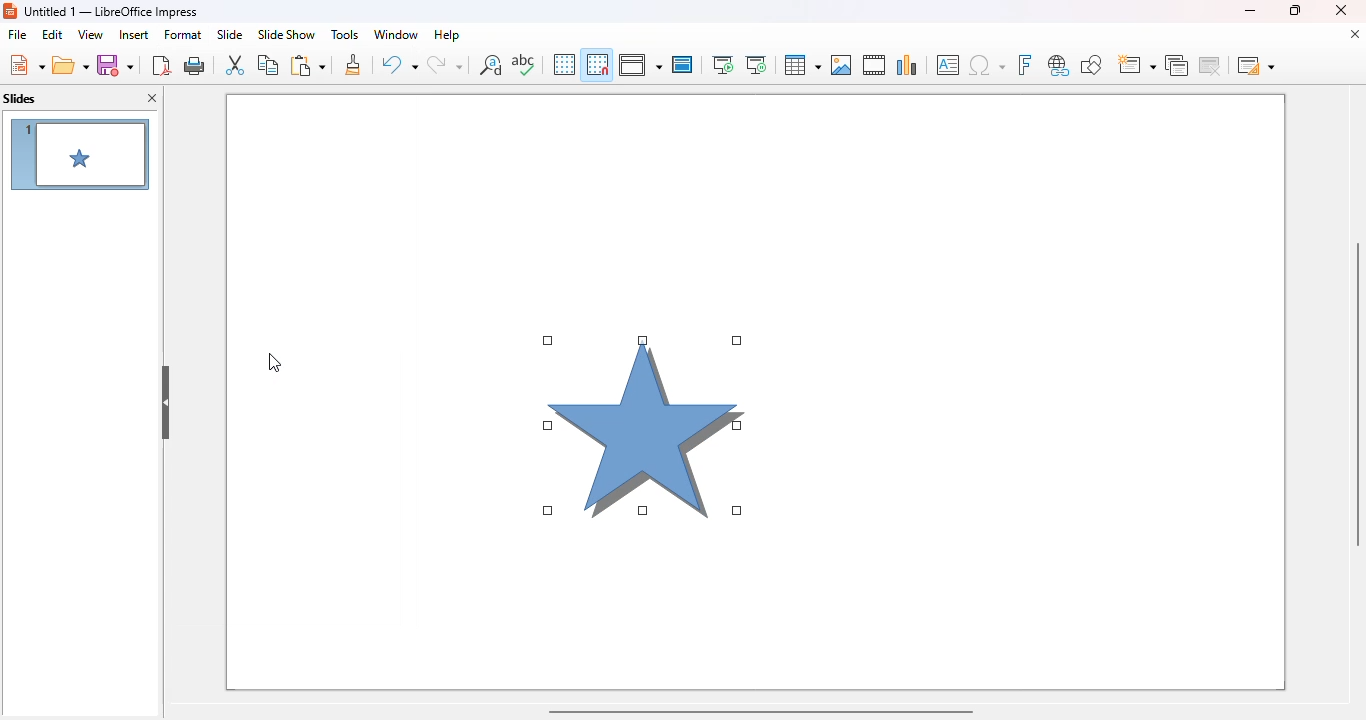  Describe the element at coordinates (20, 99) in the screenshot. I see `slides` at that location.